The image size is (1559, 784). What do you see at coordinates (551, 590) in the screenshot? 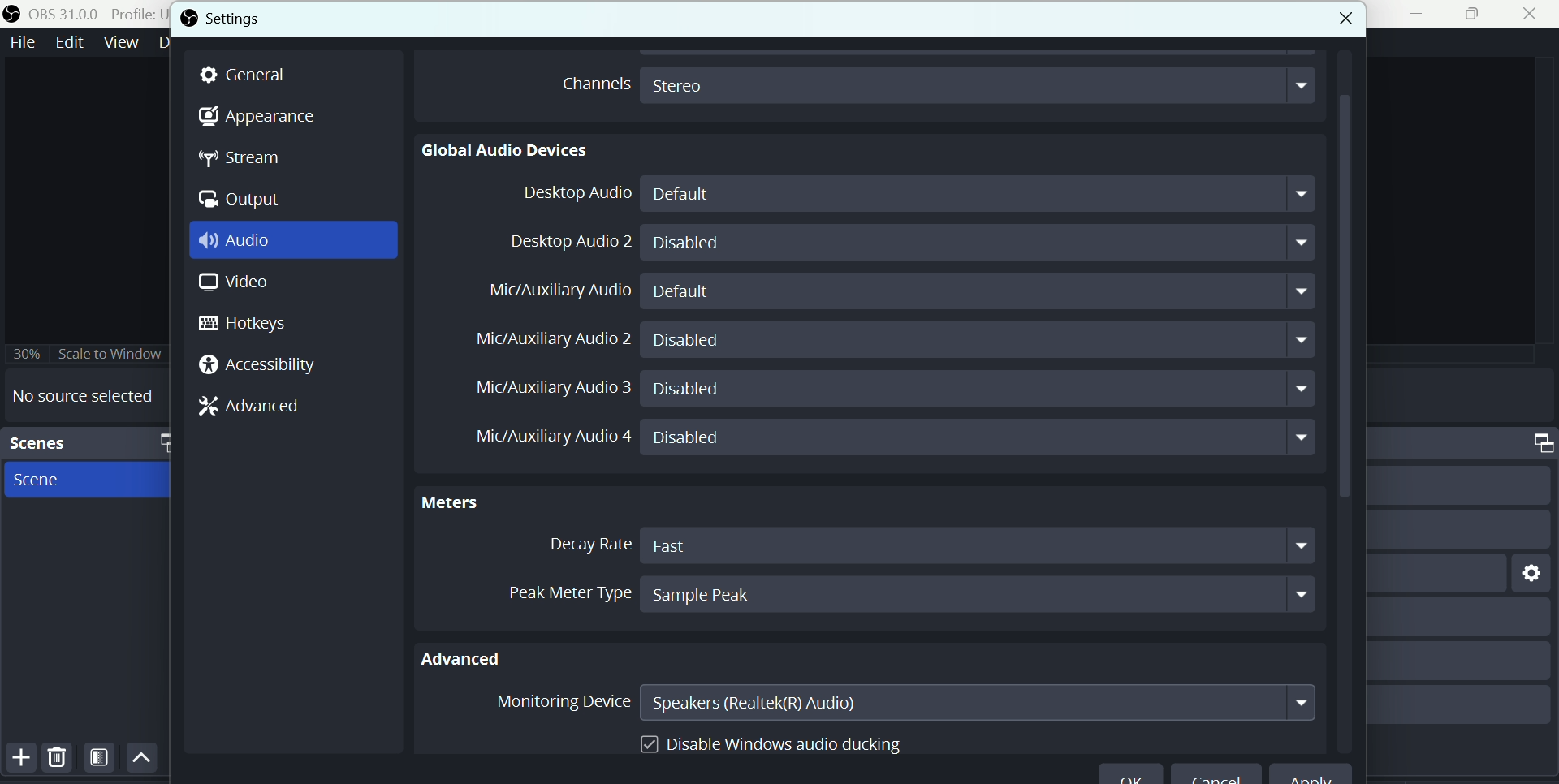
I see `Peak meter Type` at bounding box center [551, 590].